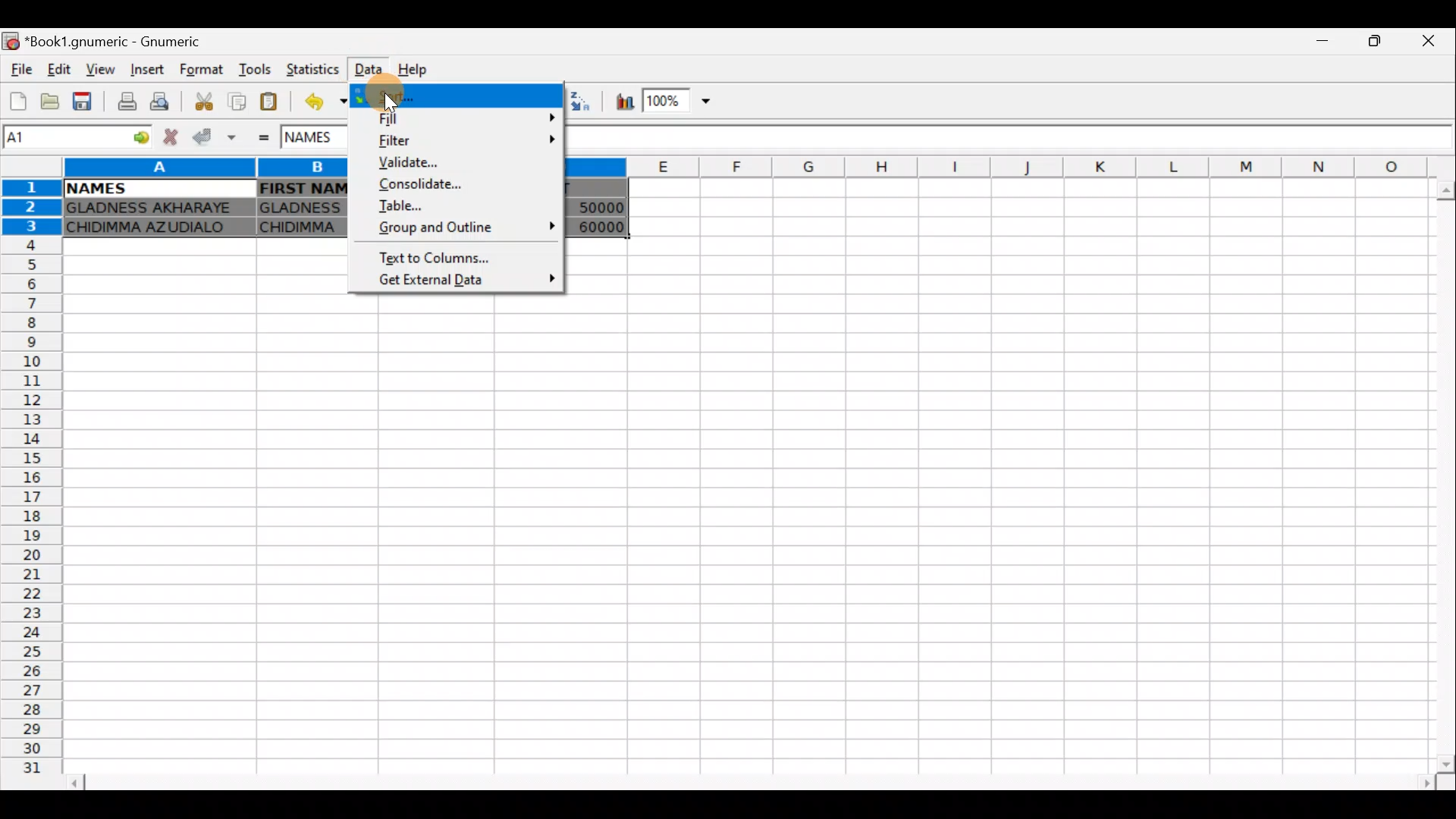  Describe the element at coordinates (1011, 140) in the screenshot. I see `Formula bar` at that location.